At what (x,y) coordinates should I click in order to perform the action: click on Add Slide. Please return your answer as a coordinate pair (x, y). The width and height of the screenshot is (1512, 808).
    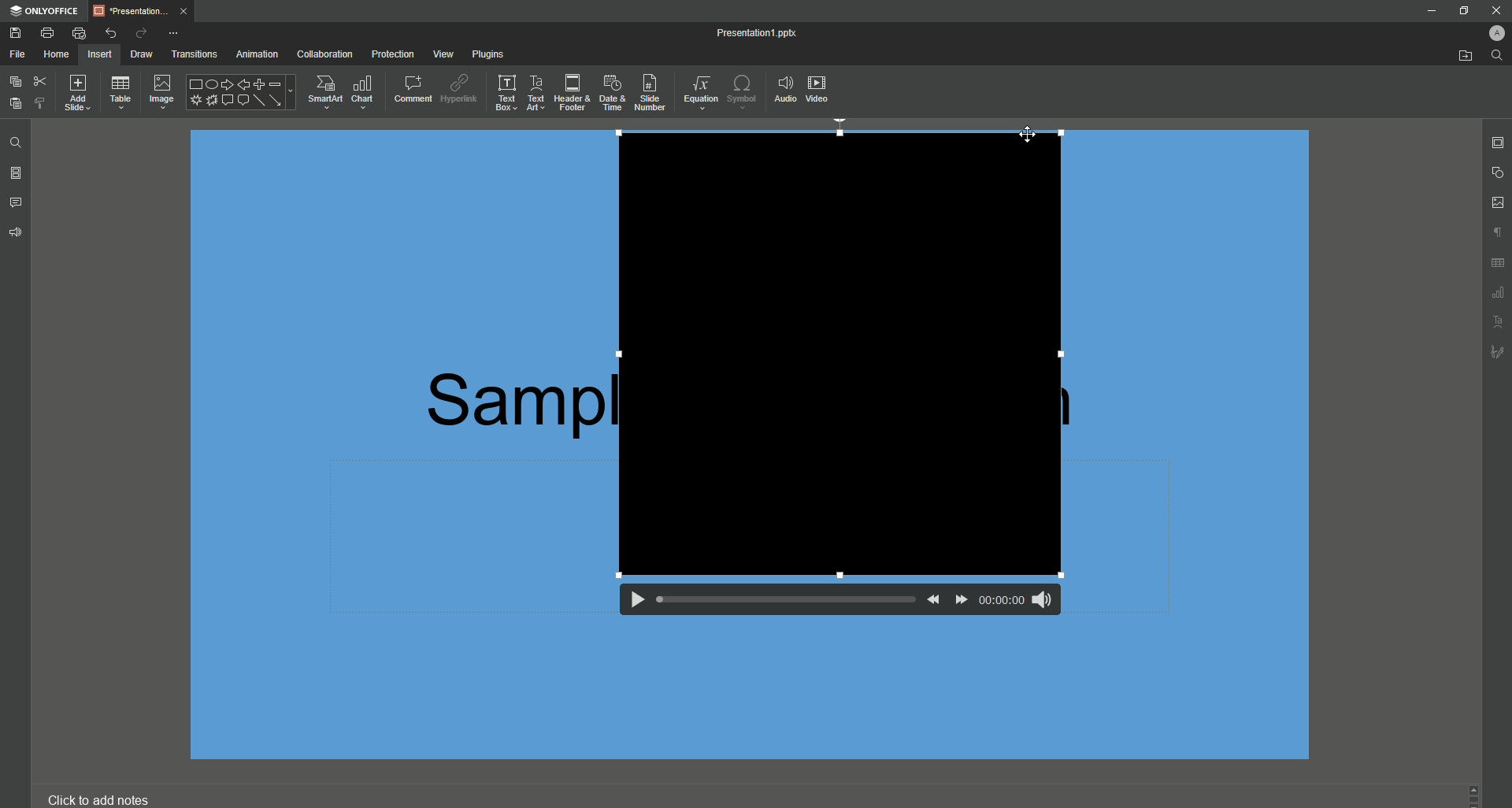
    Looking at the image, I should click on (77, 91).